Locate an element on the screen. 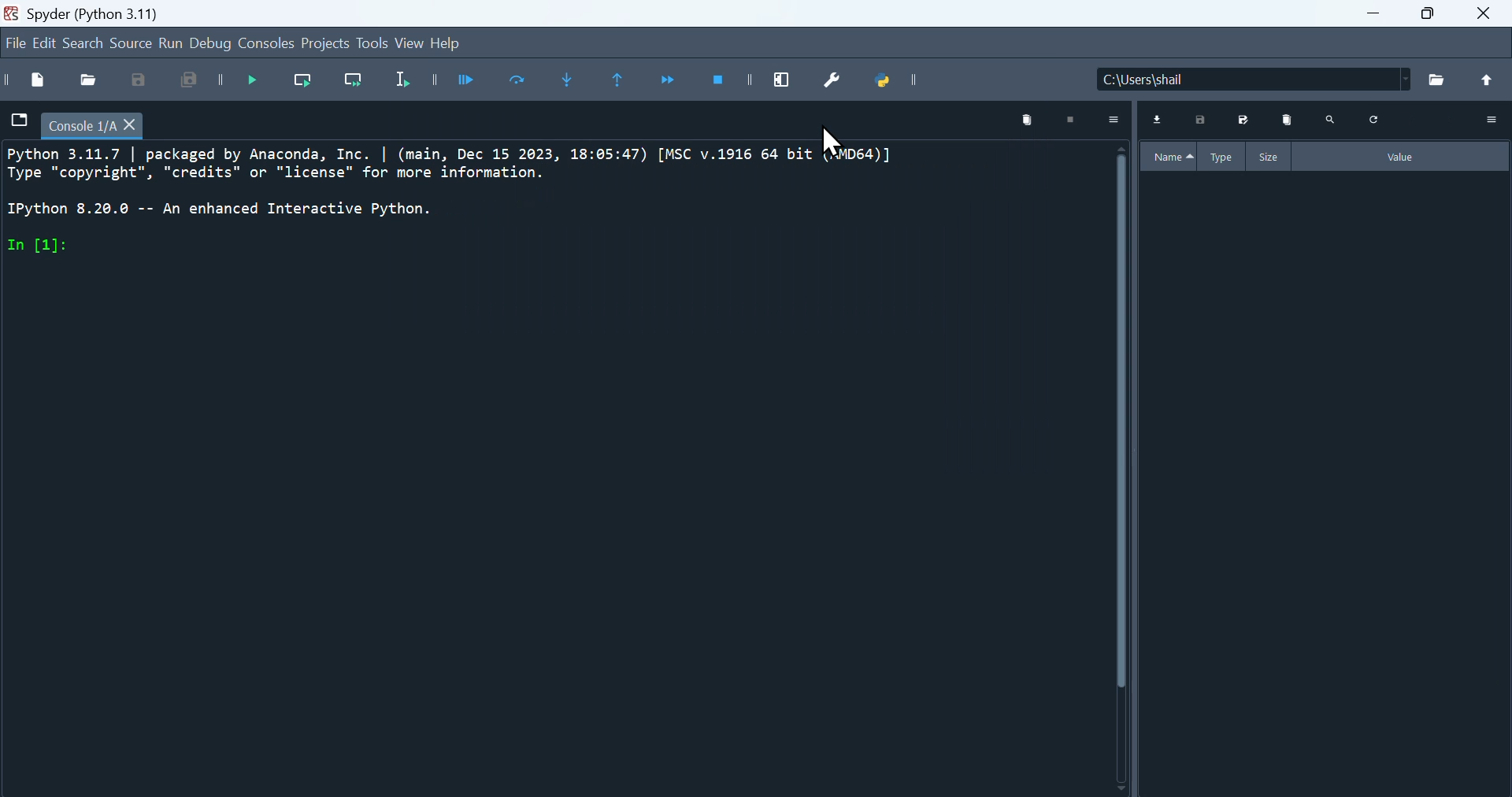  Run cell is located at coordinates (472, 81).